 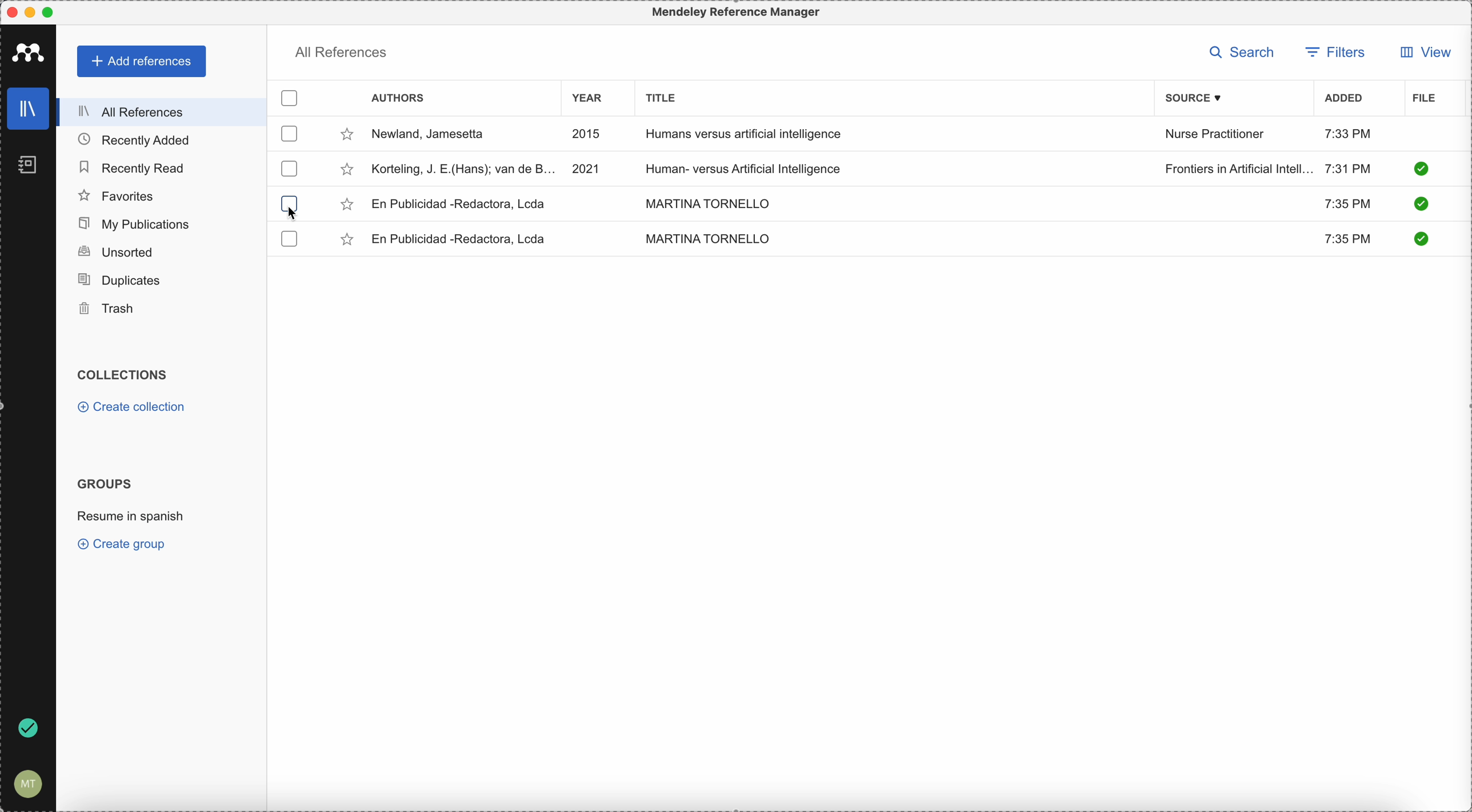 What do you see at coordinates (1348, 133) in the screenshot?
I see `7:33 PM` at bounding box center [1348, 133].